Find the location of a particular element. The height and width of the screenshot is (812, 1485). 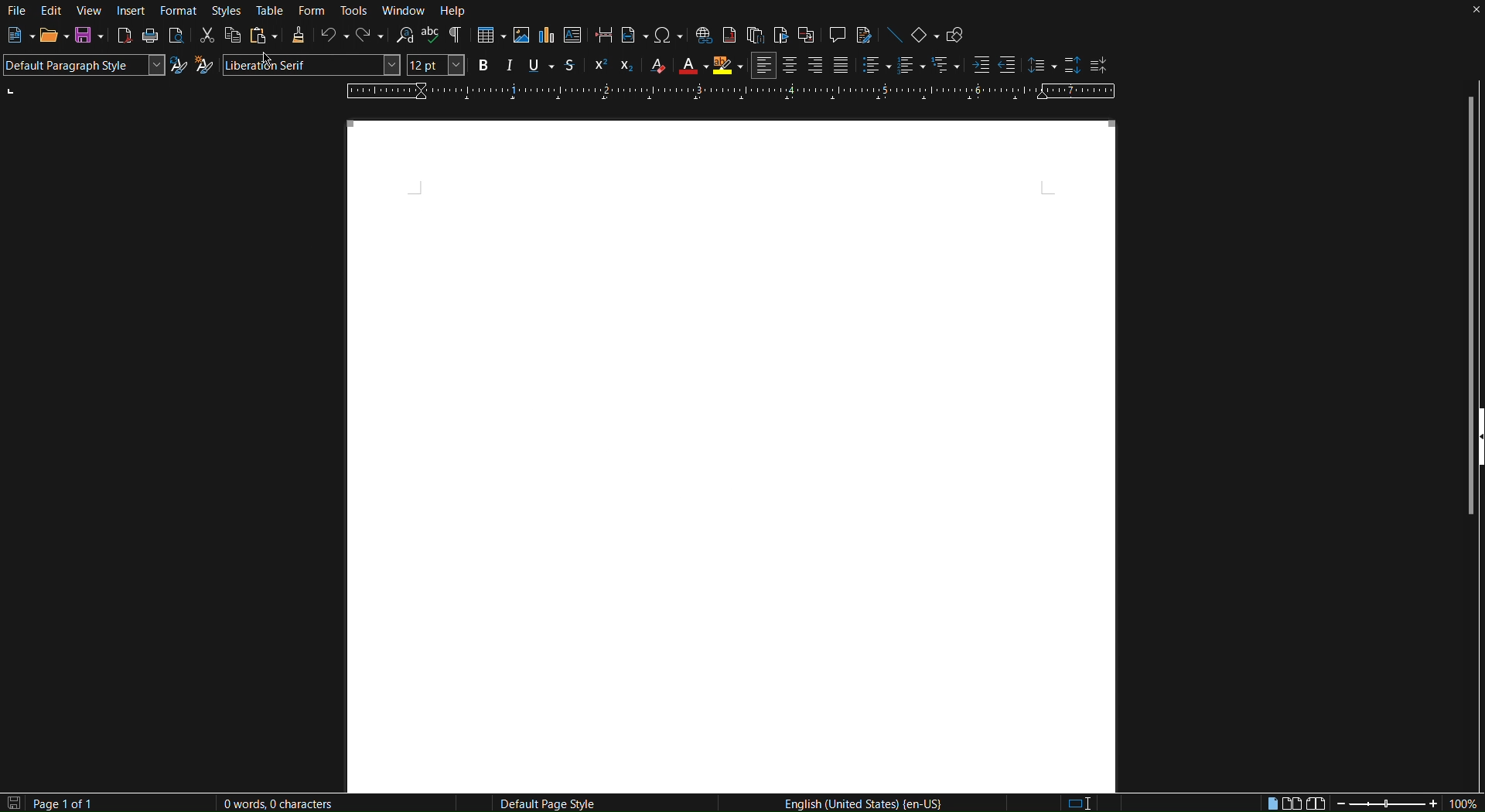

Strikethrough is located at coordinates (570, 64).